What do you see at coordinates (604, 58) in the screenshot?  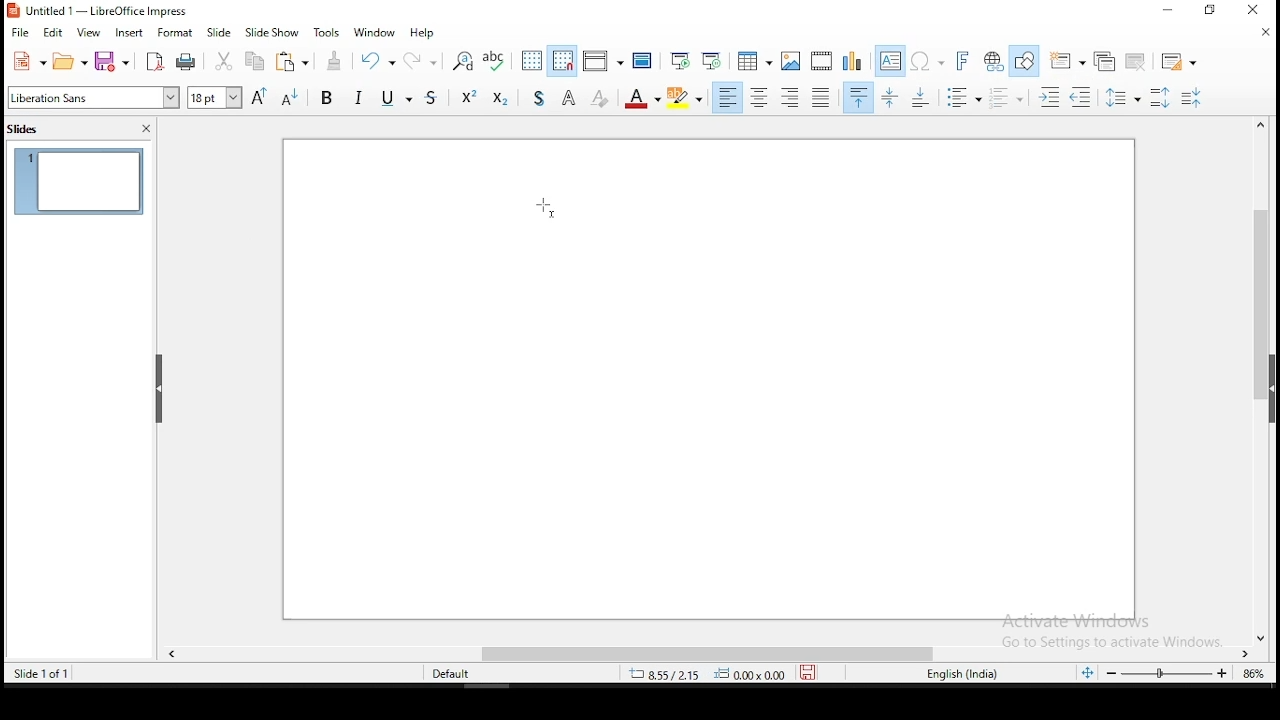 I see `display views` at bounding box center [604, 58].